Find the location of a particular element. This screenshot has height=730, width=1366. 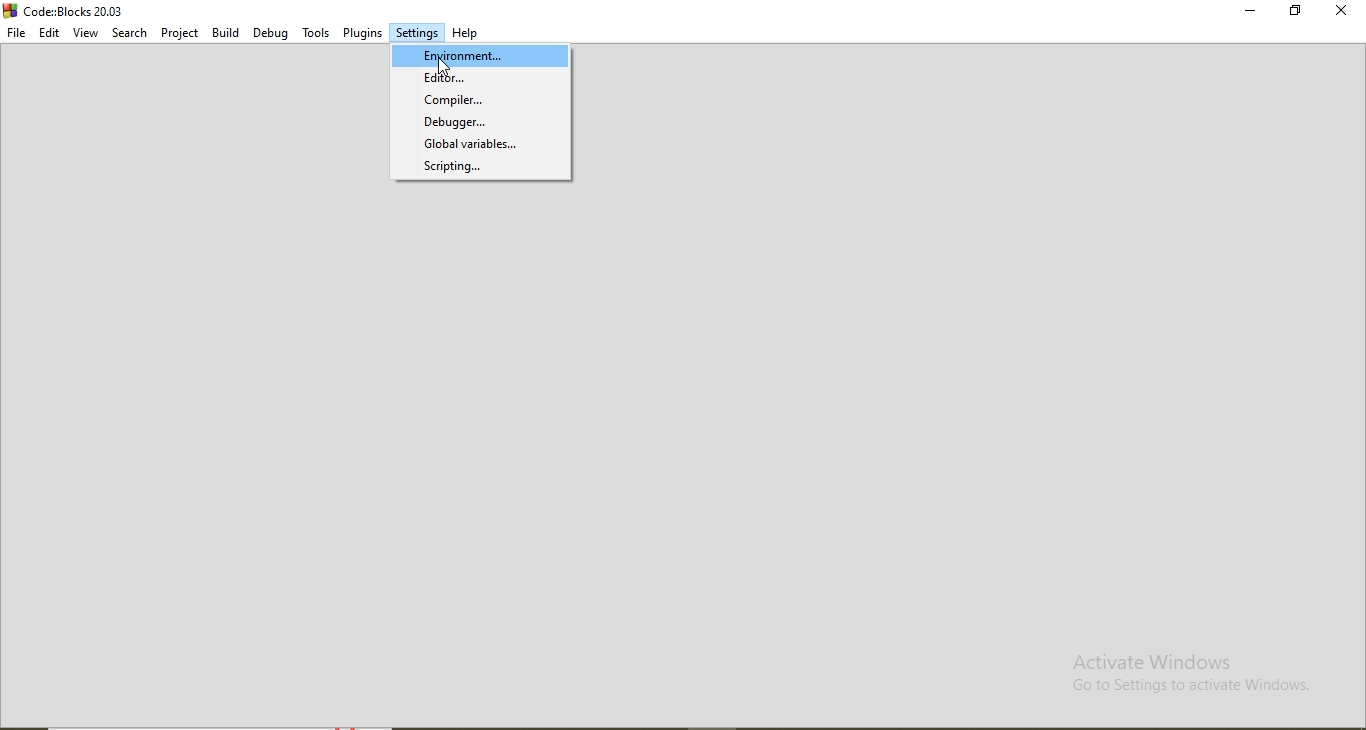

File is located at coordinates (17, 32).